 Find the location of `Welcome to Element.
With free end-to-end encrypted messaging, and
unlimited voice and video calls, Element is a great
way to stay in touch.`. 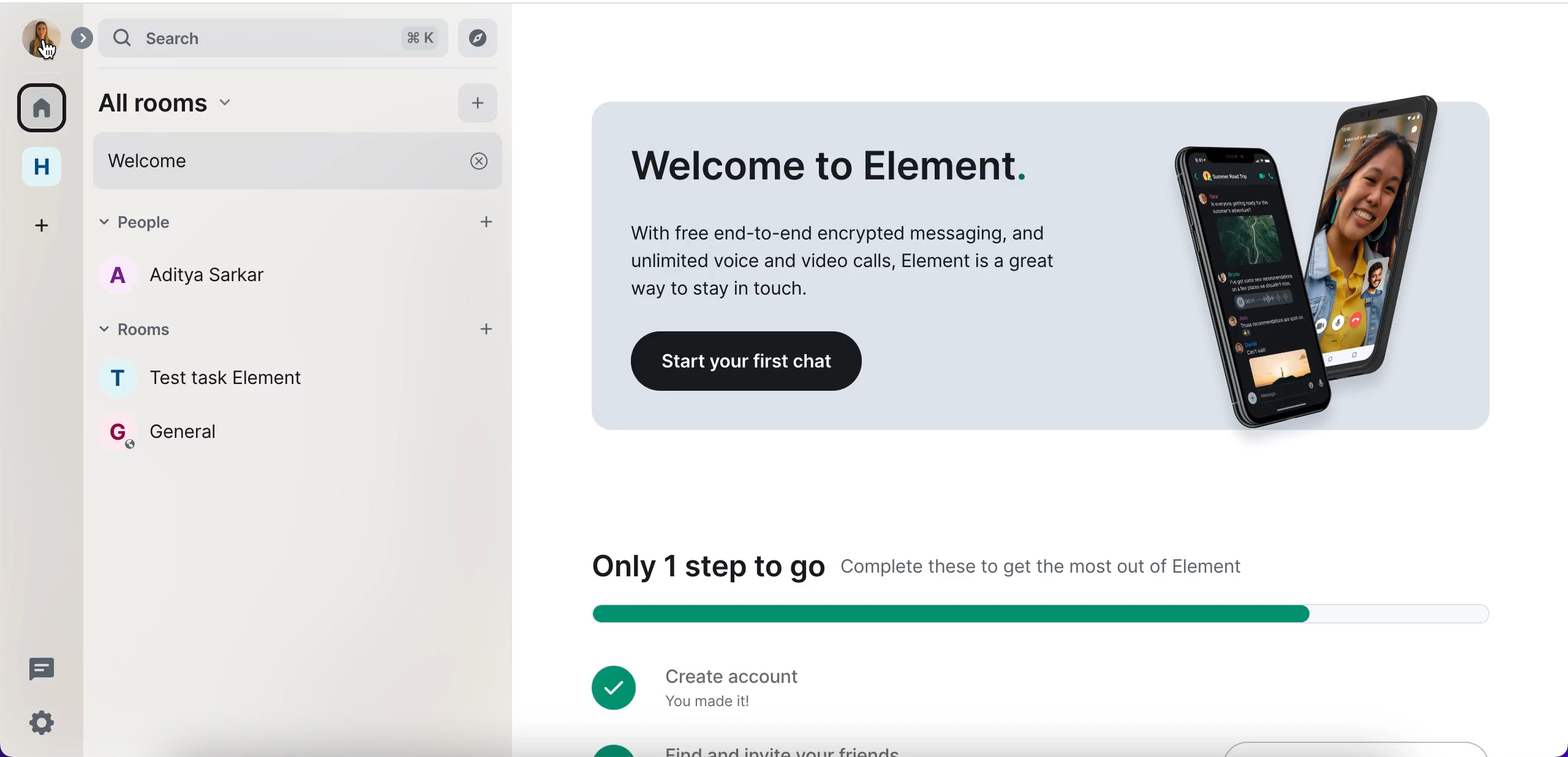

Welcome to Element.
With free end-to-end encrypted messaging, and
unlimited voice and video calls, Element is a great
way to stay in touch. is located at coordinates (841, 214).